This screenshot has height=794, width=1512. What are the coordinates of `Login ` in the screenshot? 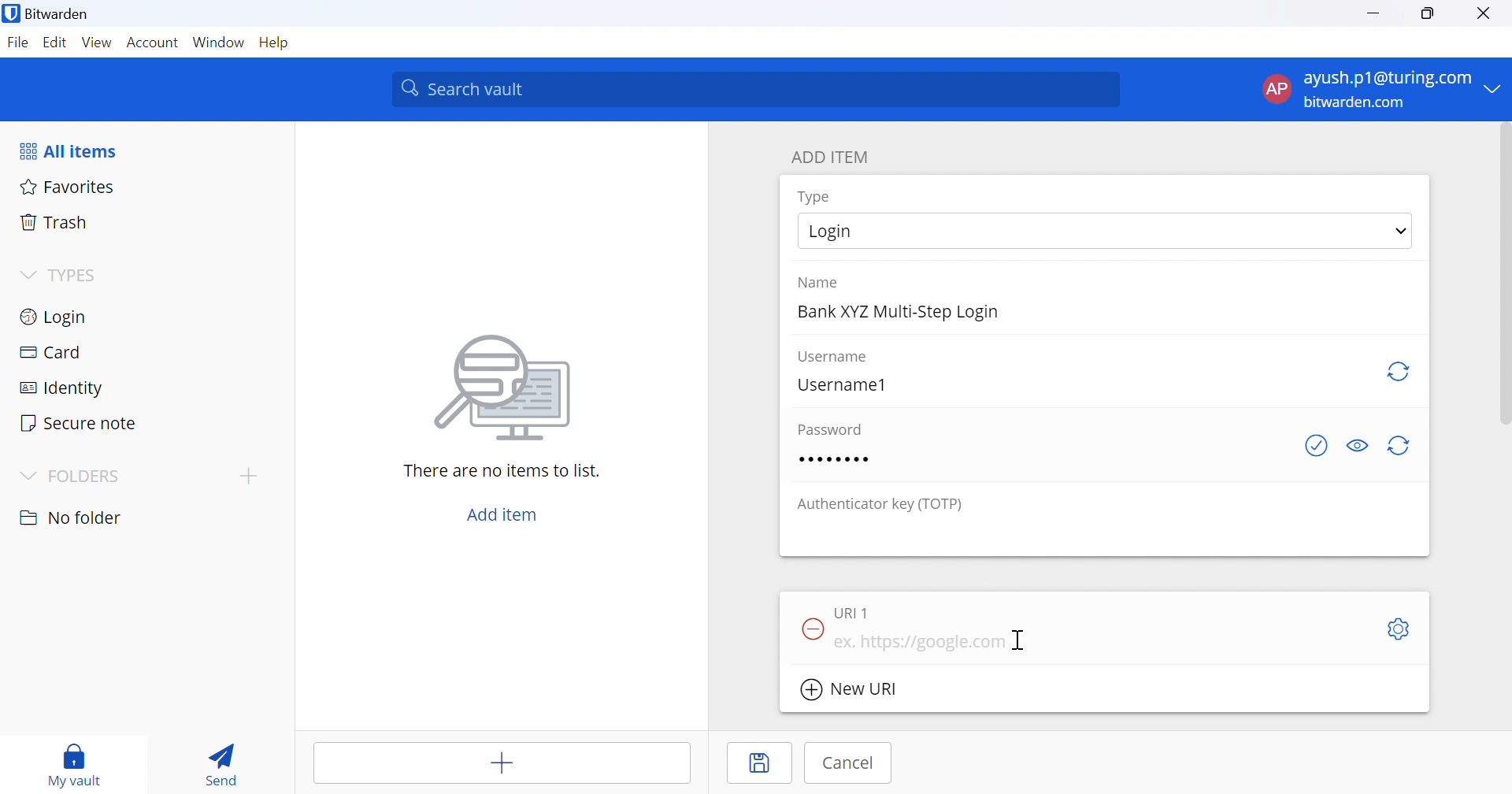 It's located at (851, 231).